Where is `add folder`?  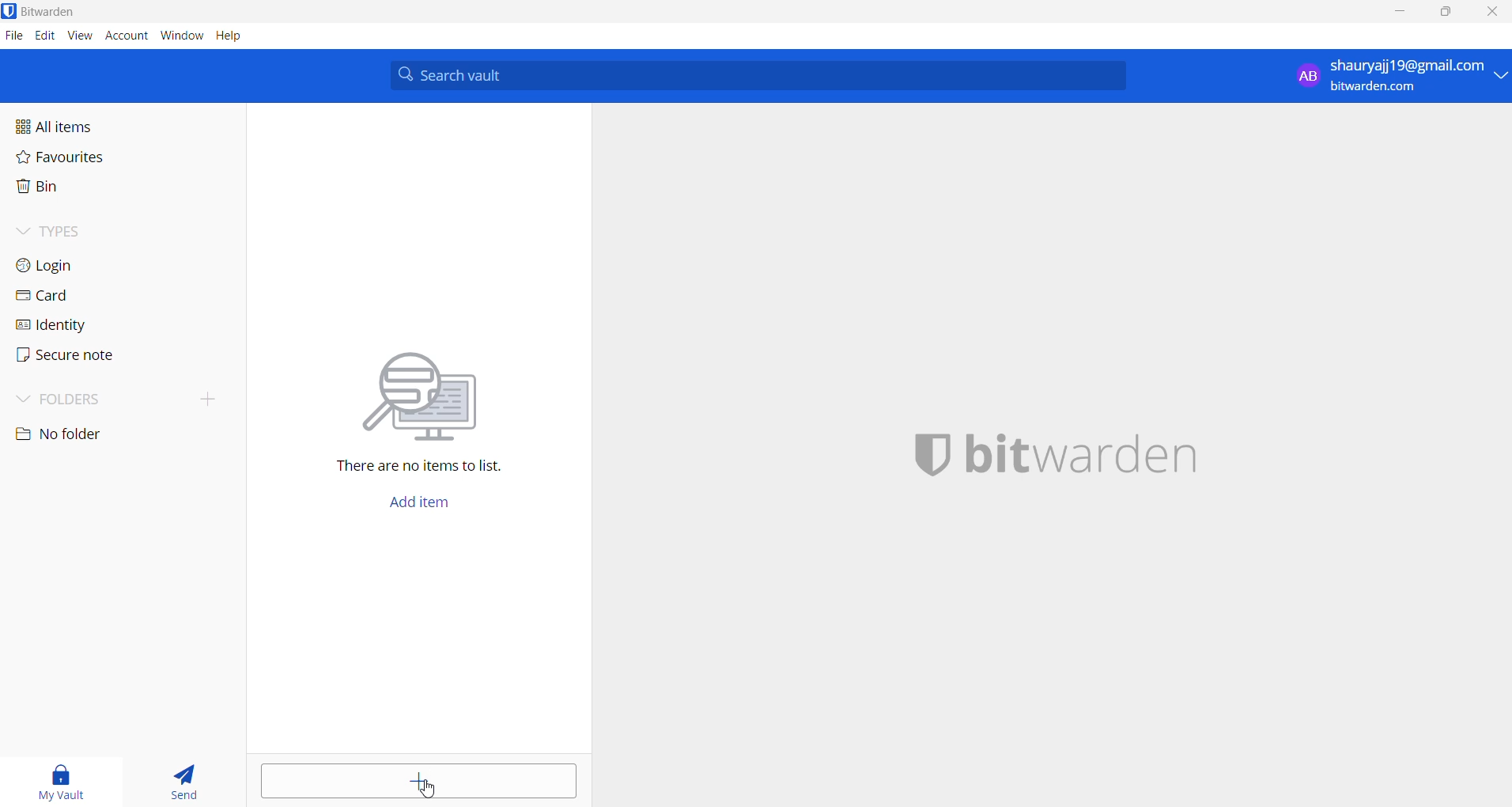
add folder is located at coordinates (201, 398).